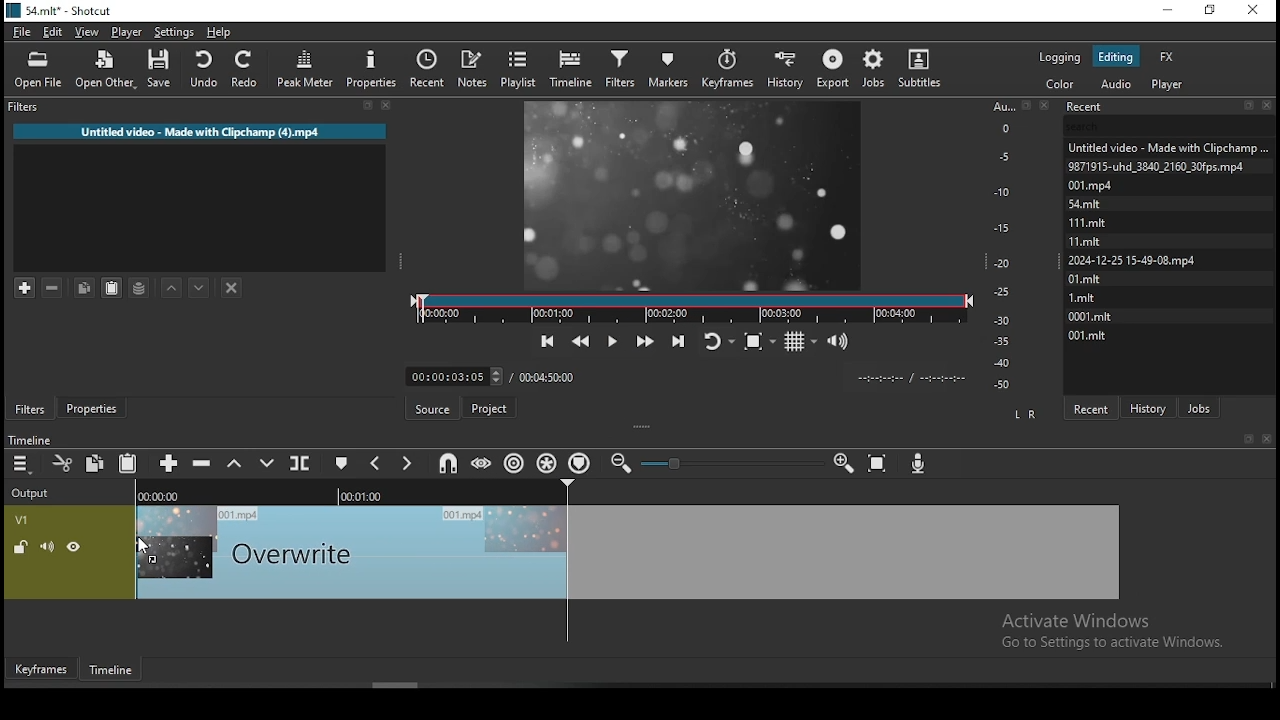  I want to click on move filter down, so click(196, 285).